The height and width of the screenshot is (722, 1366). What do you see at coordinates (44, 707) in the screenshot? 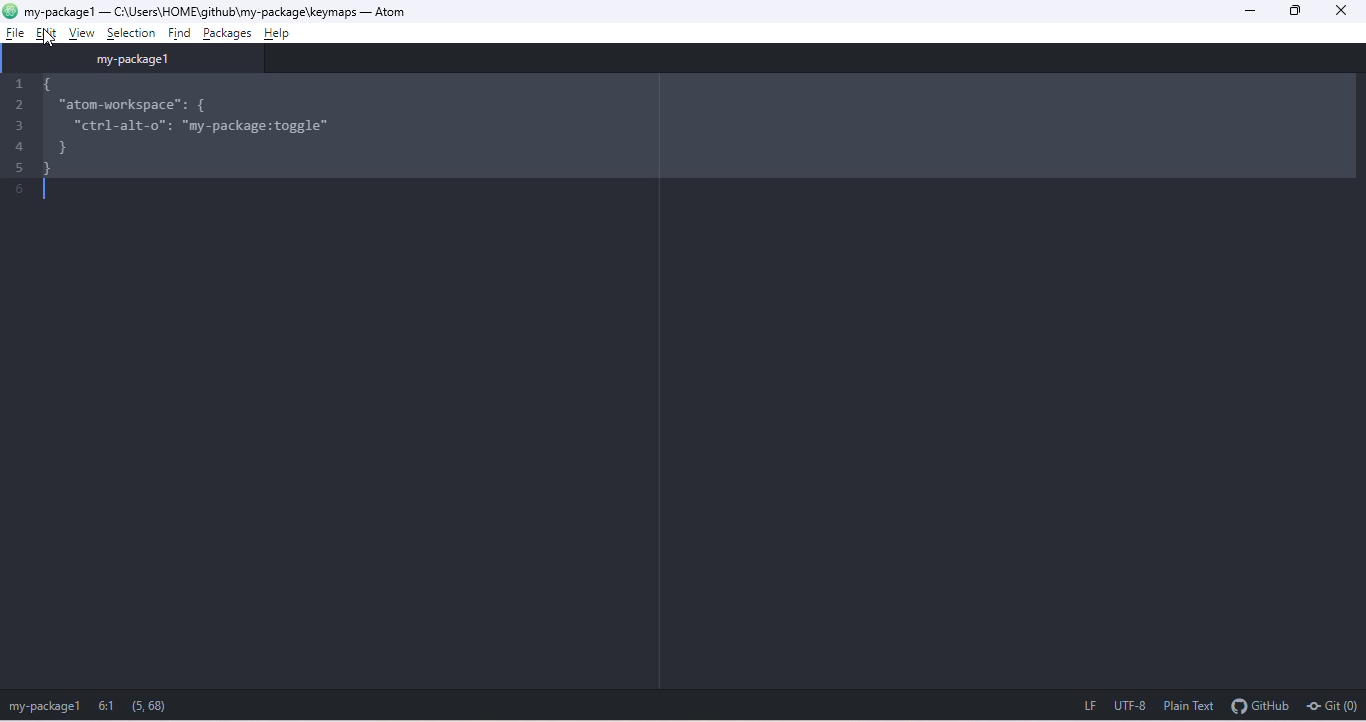
I see `my package1` at bounding box center [44, 707].